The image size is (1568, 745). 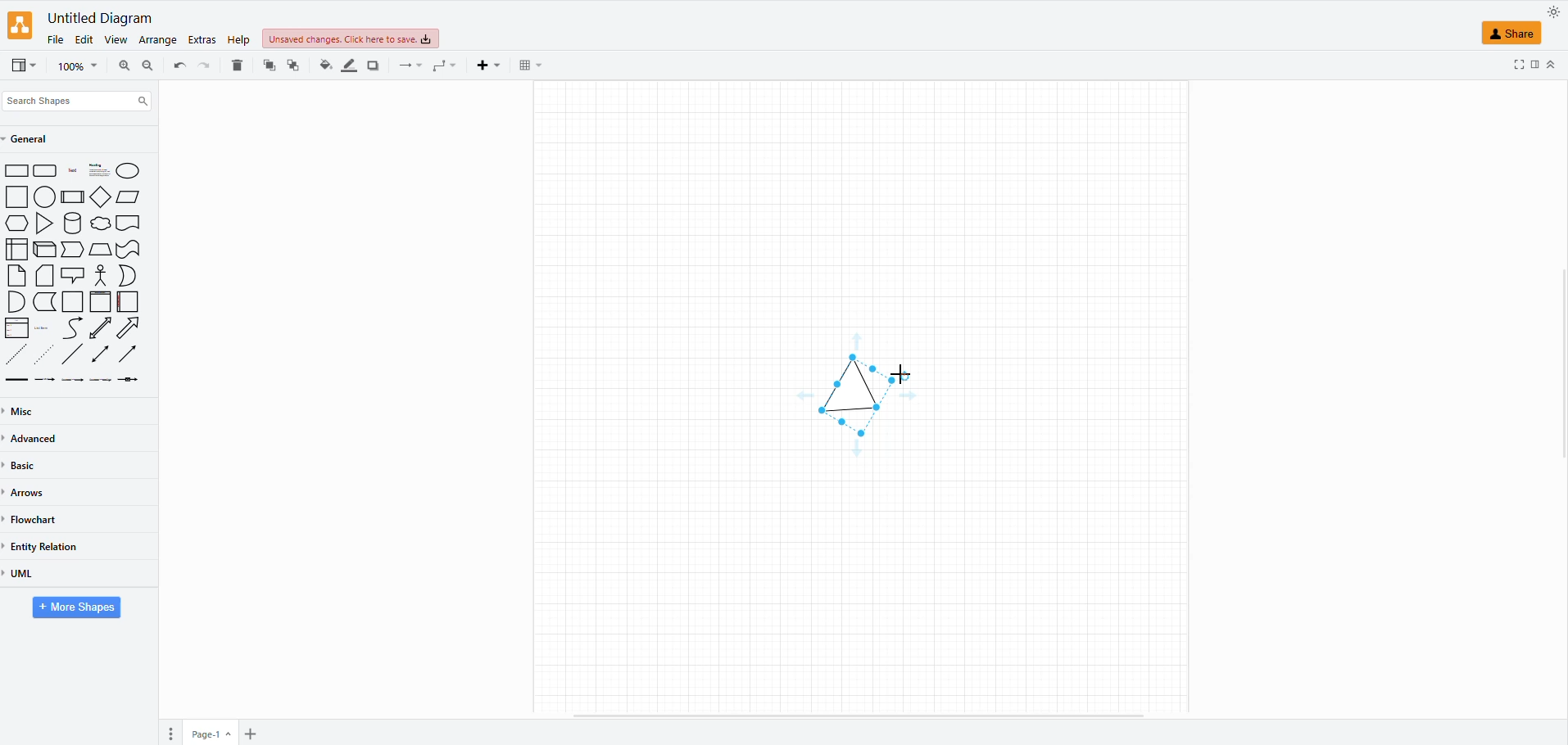 What do you see at coordinates (145, 68) in the screenshot?
I see `zoom in ` at bounding box center [145, 68].